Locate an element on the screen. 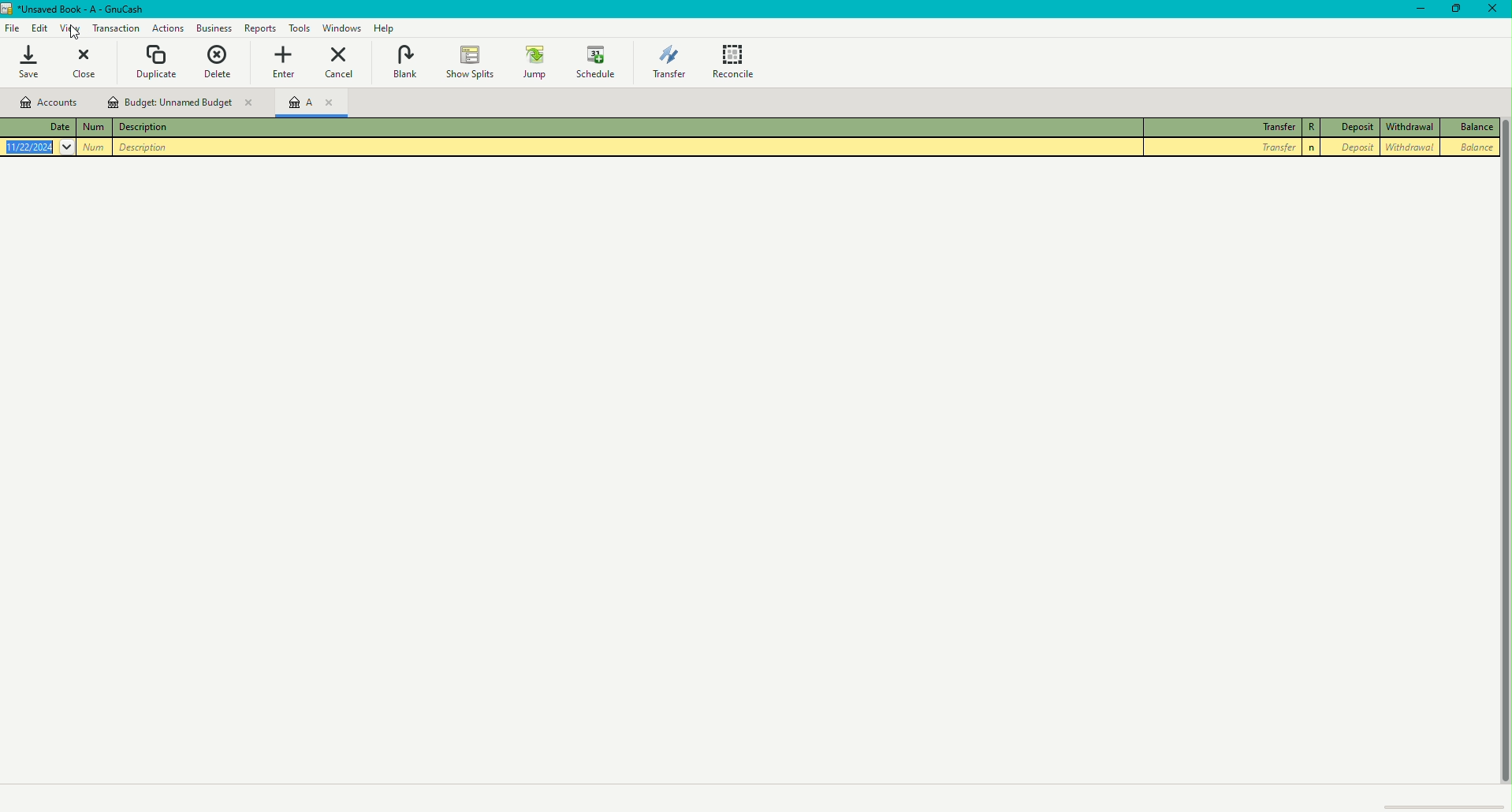  Account A is located at coordinates (309, 106).